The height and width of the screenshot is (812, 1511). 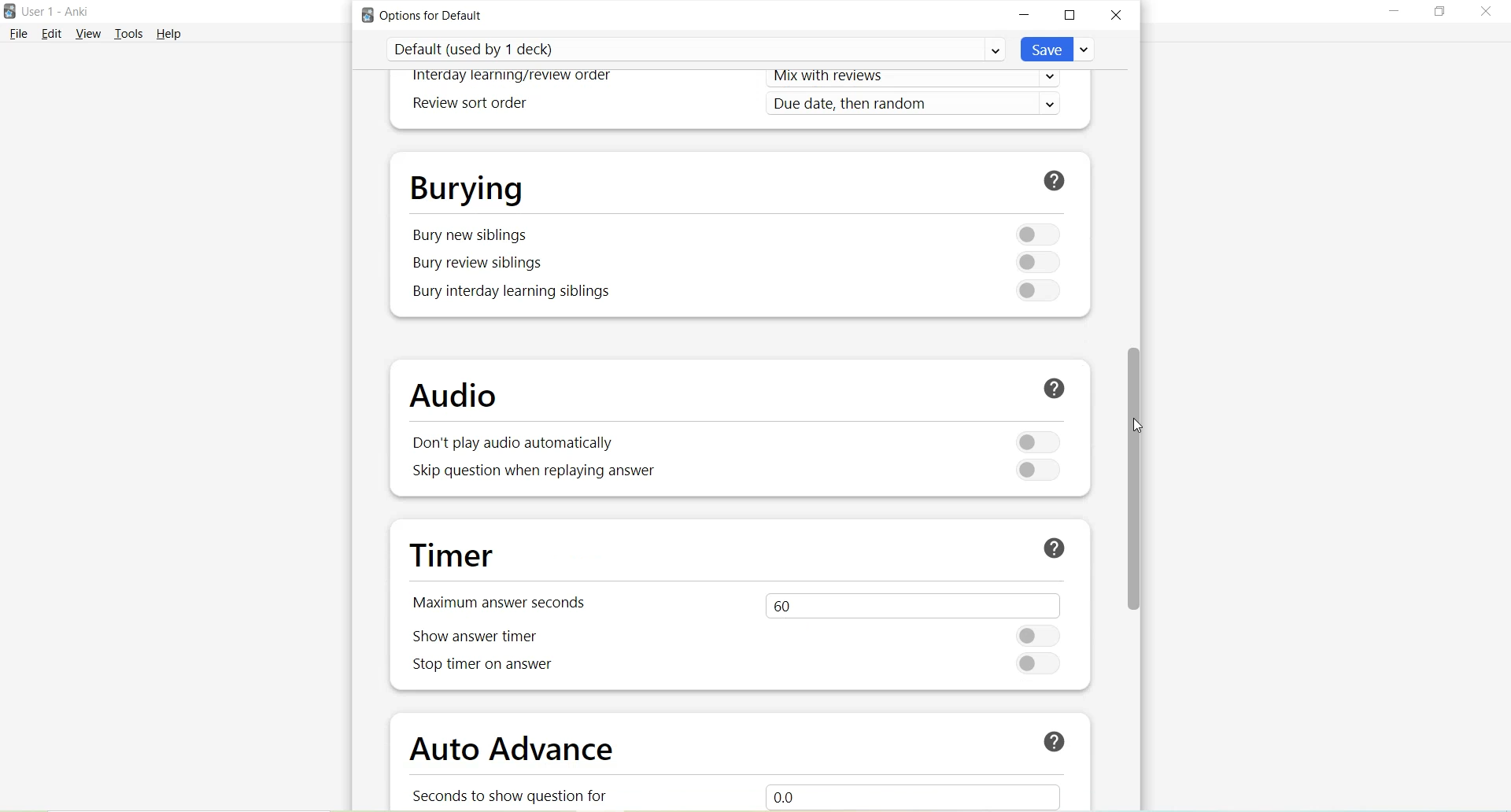 What do you see at coordinates (1051, 390) in the screenshot?
I see `What's this?` at bounding box center [1051, 390].